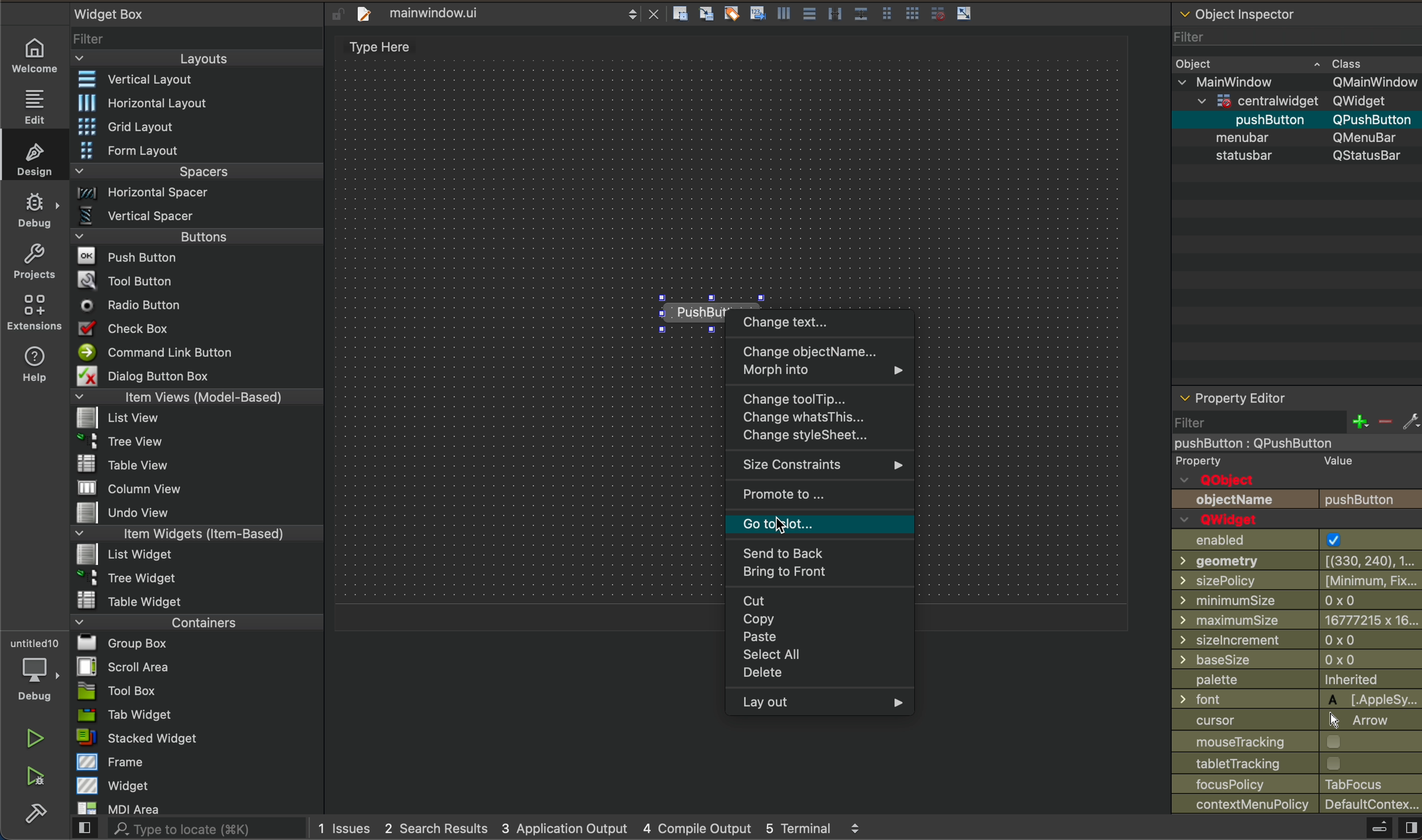 Image resolution: width=1422 pixels, height=840 pixels. What do you see at coordinates (828, 657) in the screenshot?
I see `select all` at bounding box center [828, 657].